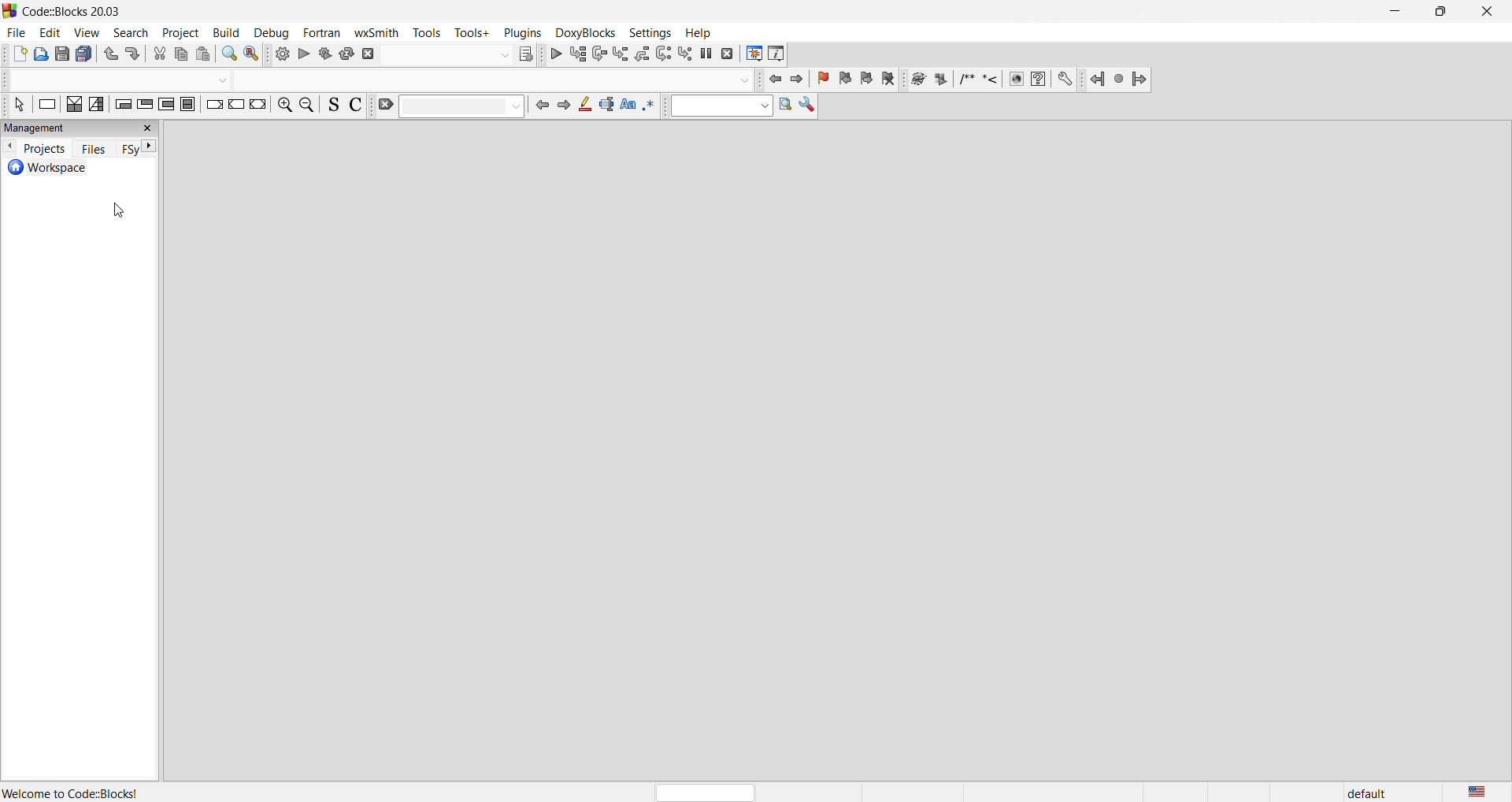 The height and width of the screenshot is (802, 1512). Describe the element at coordinates (155, 146) in the screenshot. I see `next` at that location.